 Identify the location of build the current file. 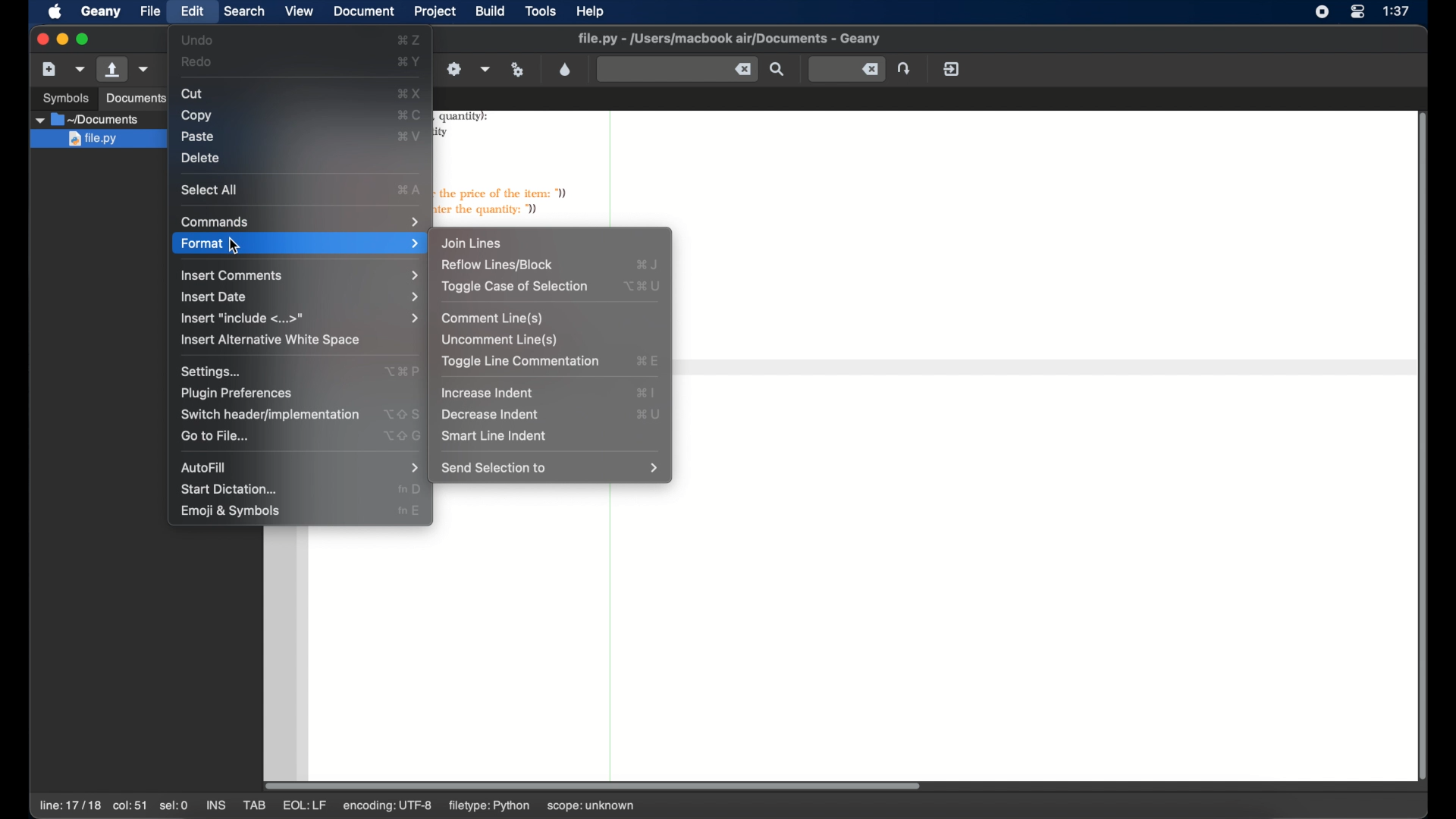
(455, 68).